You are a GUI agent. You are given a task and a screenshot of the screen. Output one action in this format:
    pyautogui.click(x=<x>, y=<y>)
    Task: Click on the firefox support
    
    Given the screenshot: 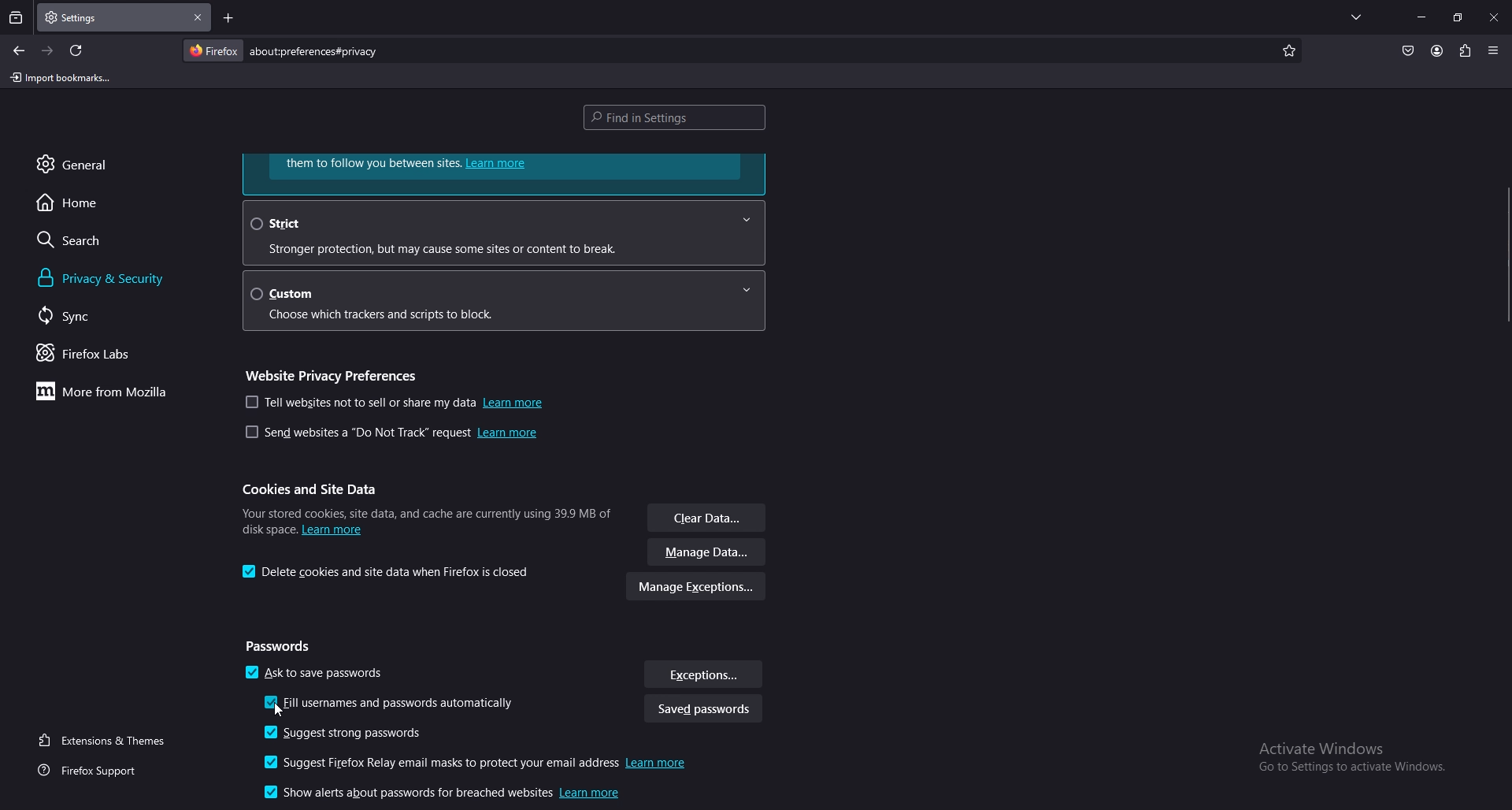 What is the action you would take?
    pyautogui.click(x=93, y=771)
    